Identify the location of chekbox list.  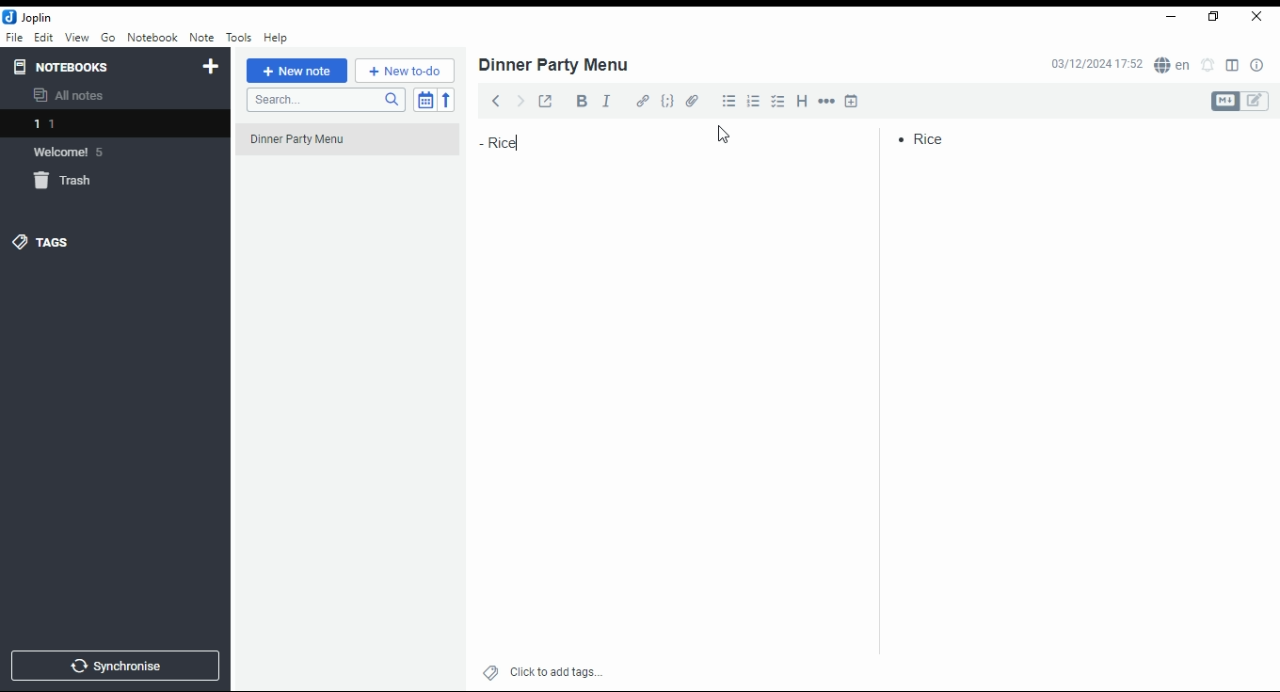
(779, 101).